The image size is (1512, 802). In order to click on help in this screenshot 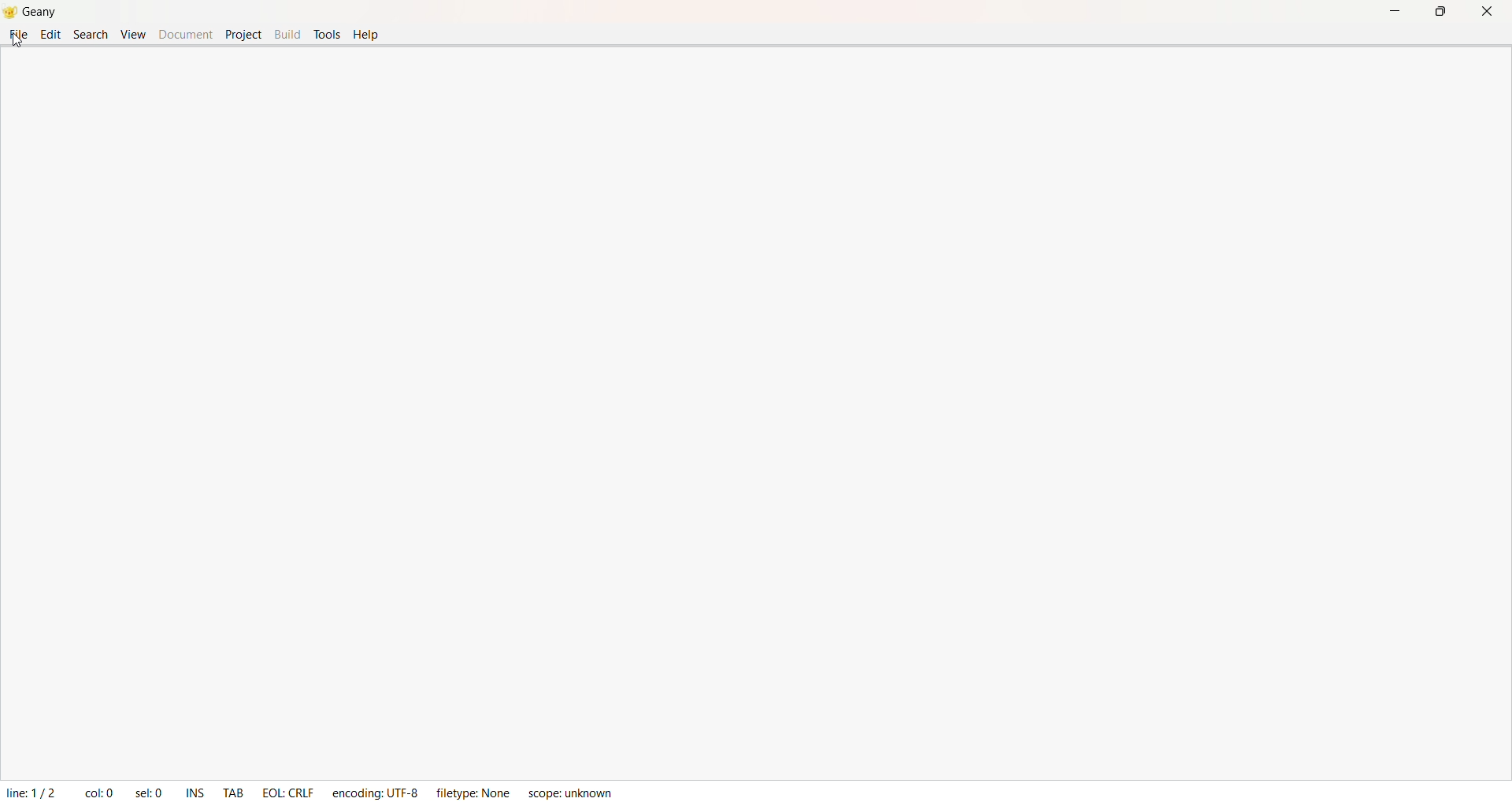, I will do `click(370, 32)`.